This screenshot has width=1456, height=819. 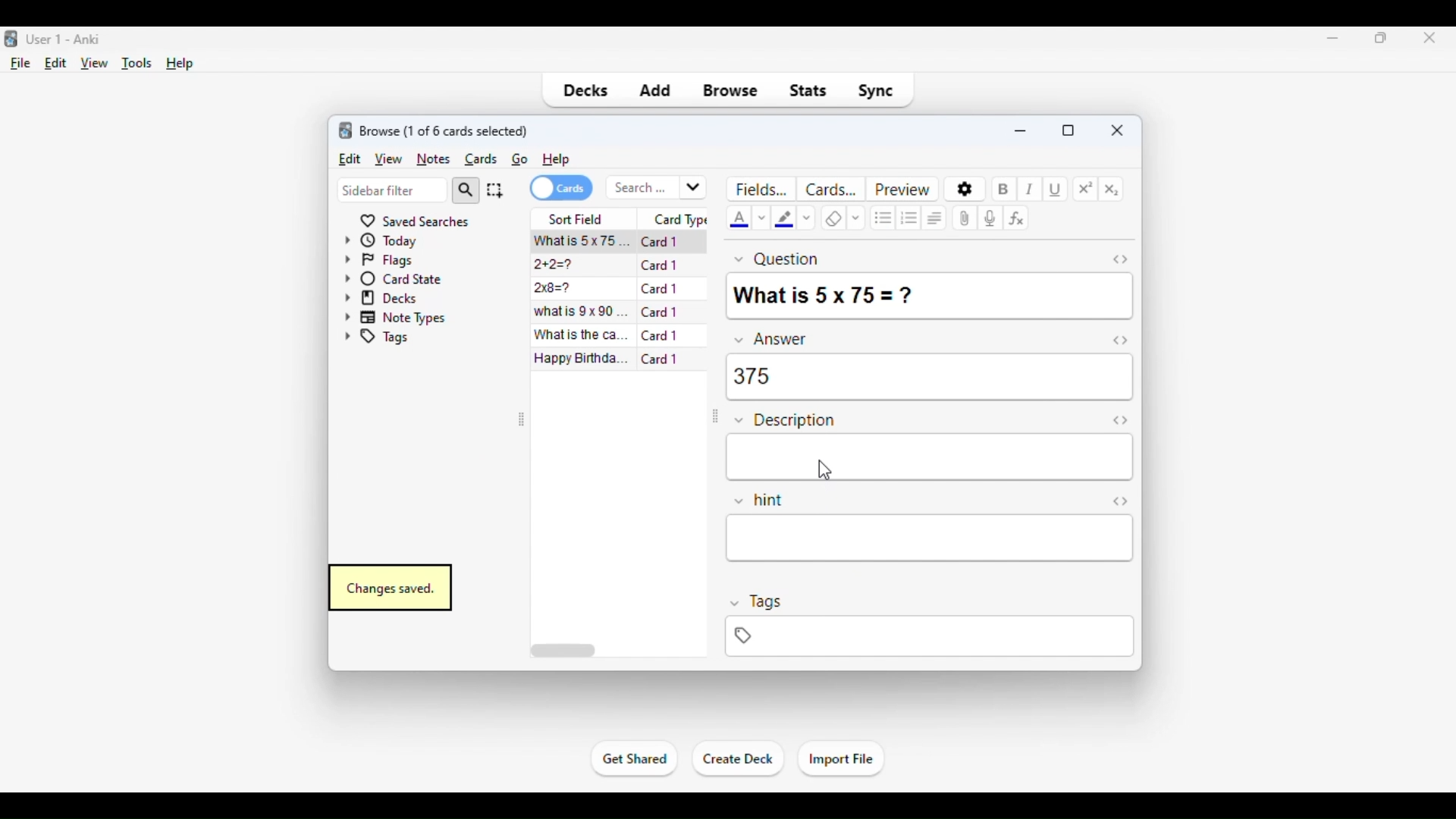 What do you see at coordinates (579, 240) in the screenshot?
I see `what is 5x75=?` at bounding box center [579, 240].